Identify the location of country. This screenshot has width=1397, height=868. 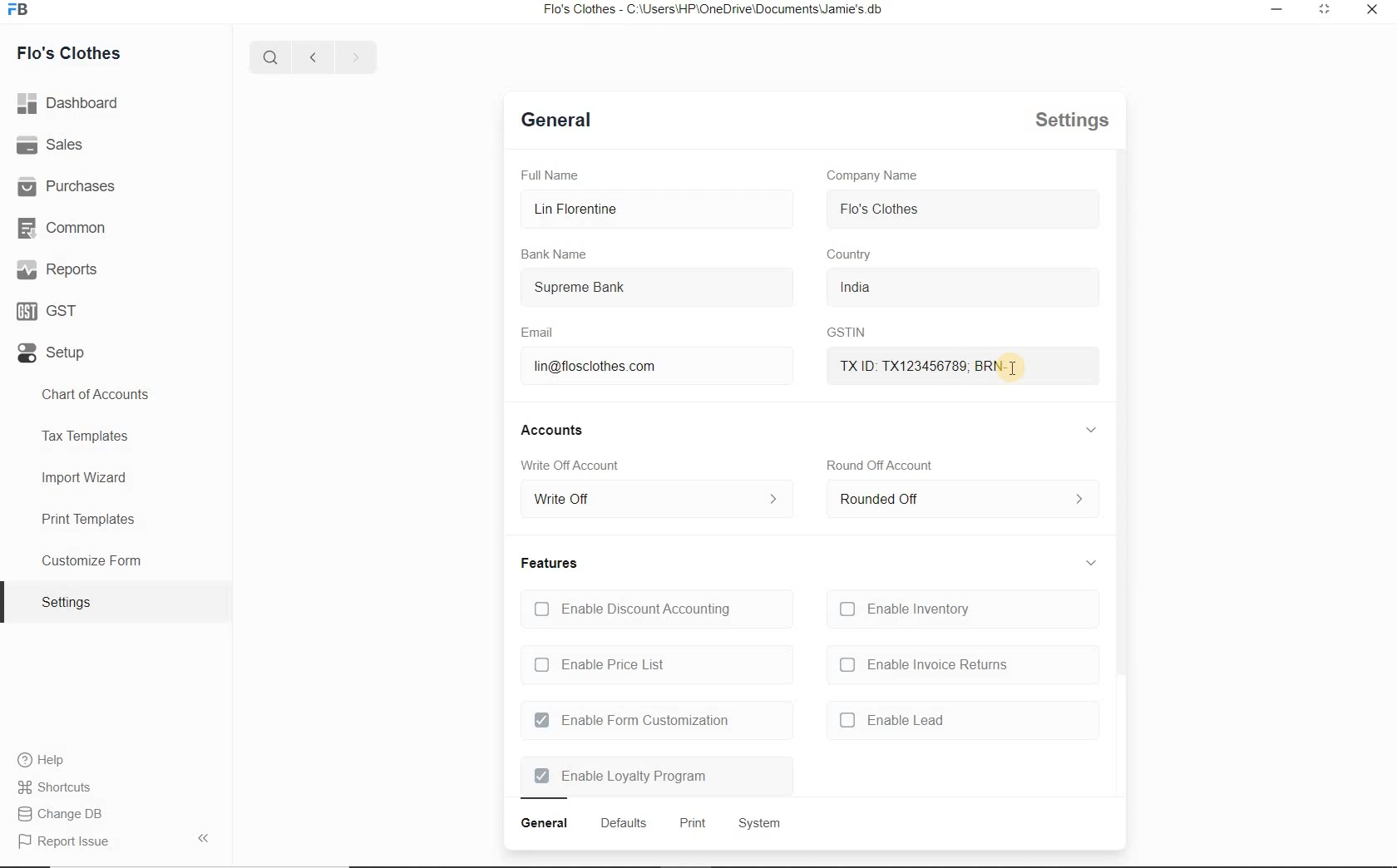
(852, 255).